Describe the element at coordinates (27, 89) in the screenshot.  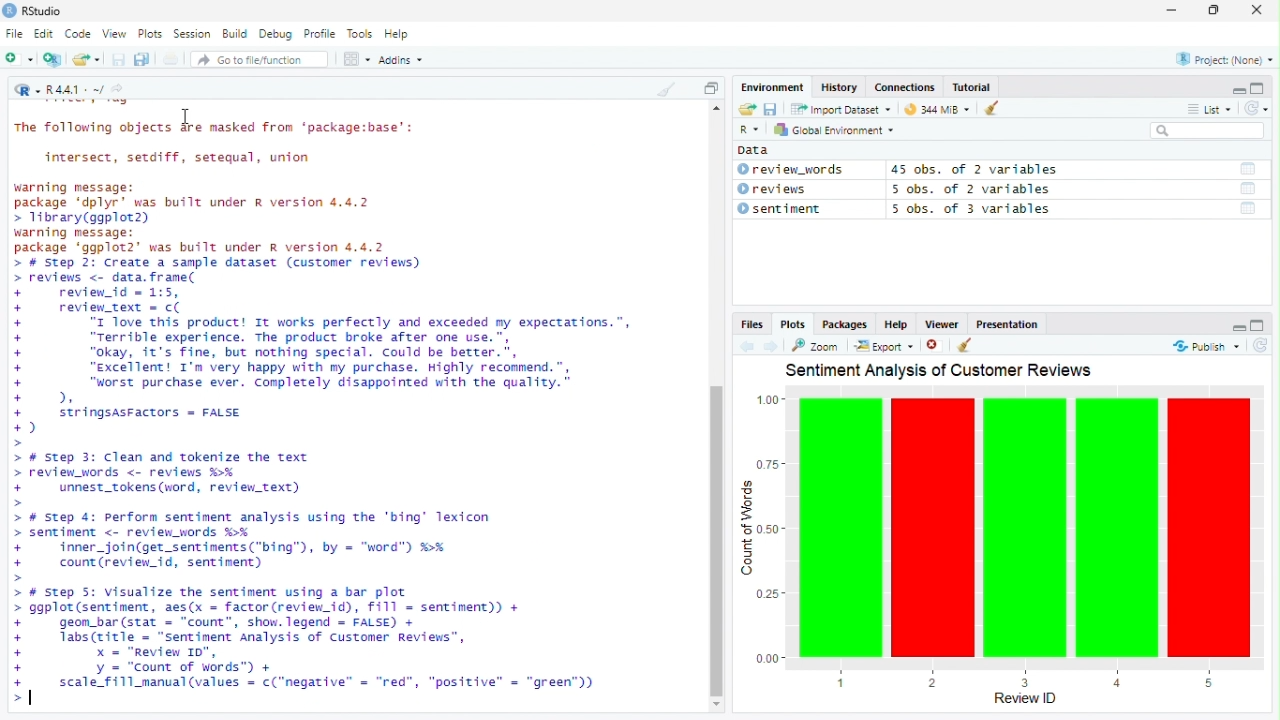
I see `R` at that location.